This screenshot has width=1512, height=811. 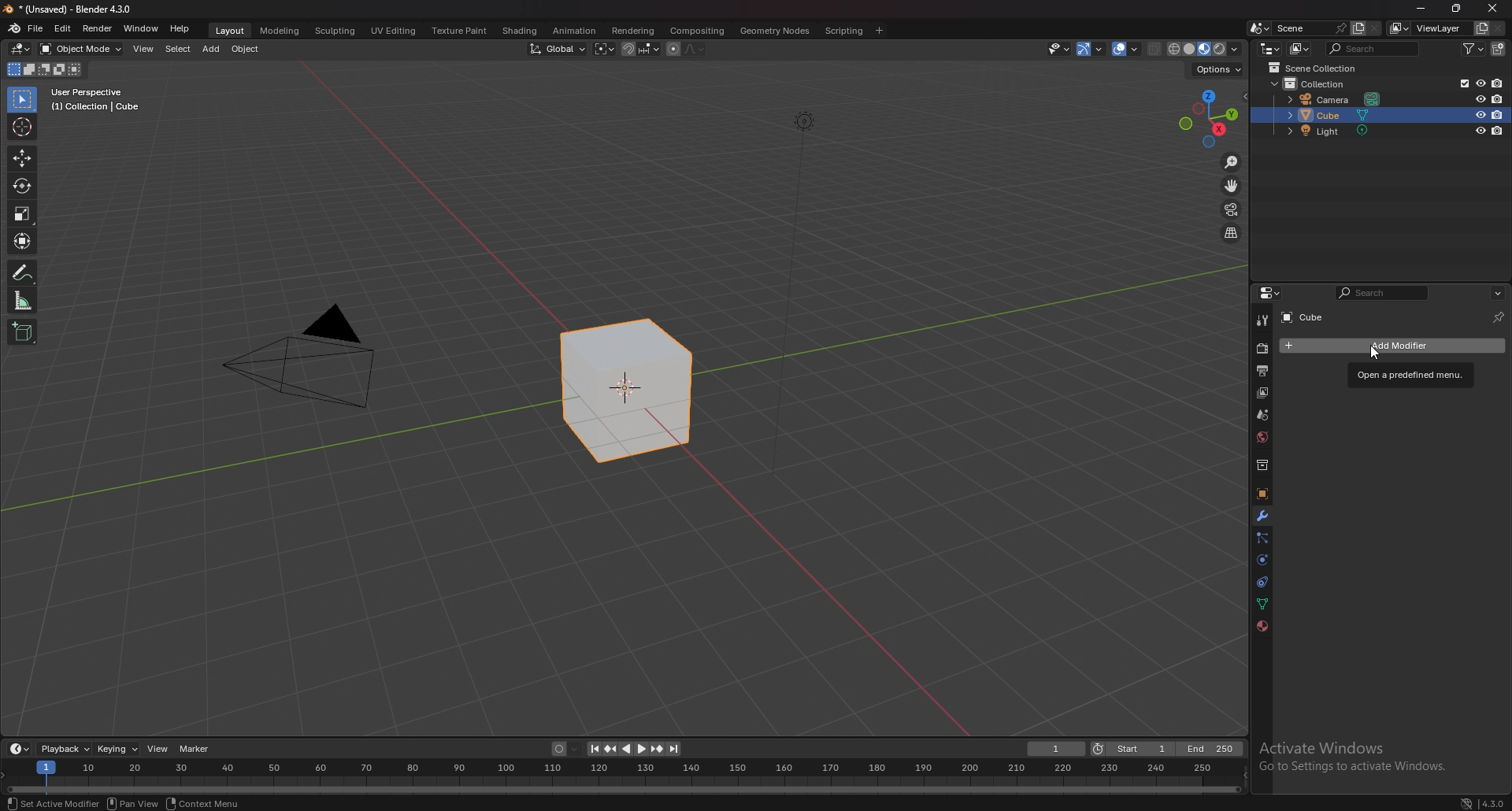 I want to click on end, so click(x=1212, y=748).